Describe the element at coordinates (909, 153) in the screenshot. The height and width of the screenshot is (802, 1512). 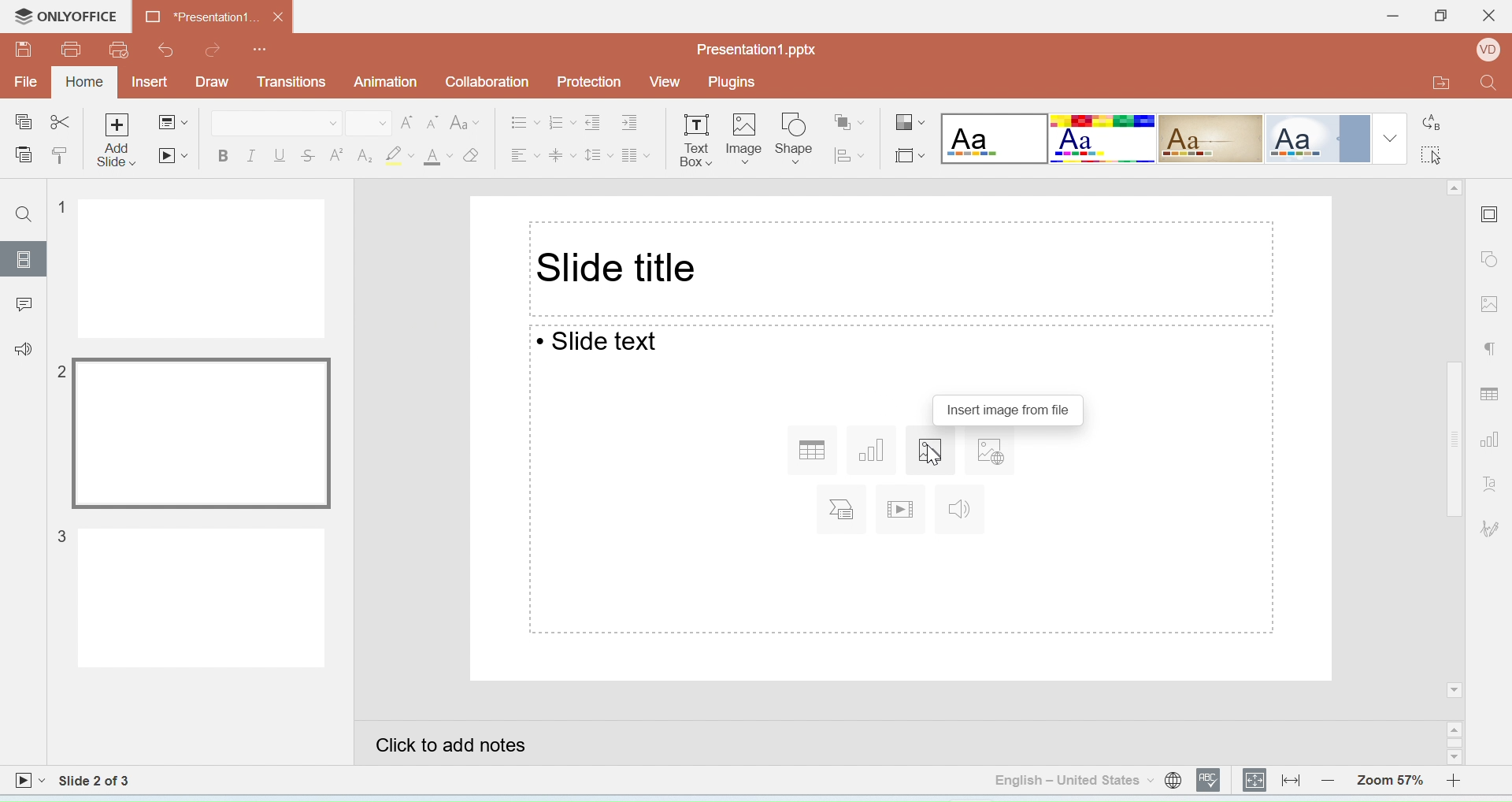
I see `Select slide size` at that location.